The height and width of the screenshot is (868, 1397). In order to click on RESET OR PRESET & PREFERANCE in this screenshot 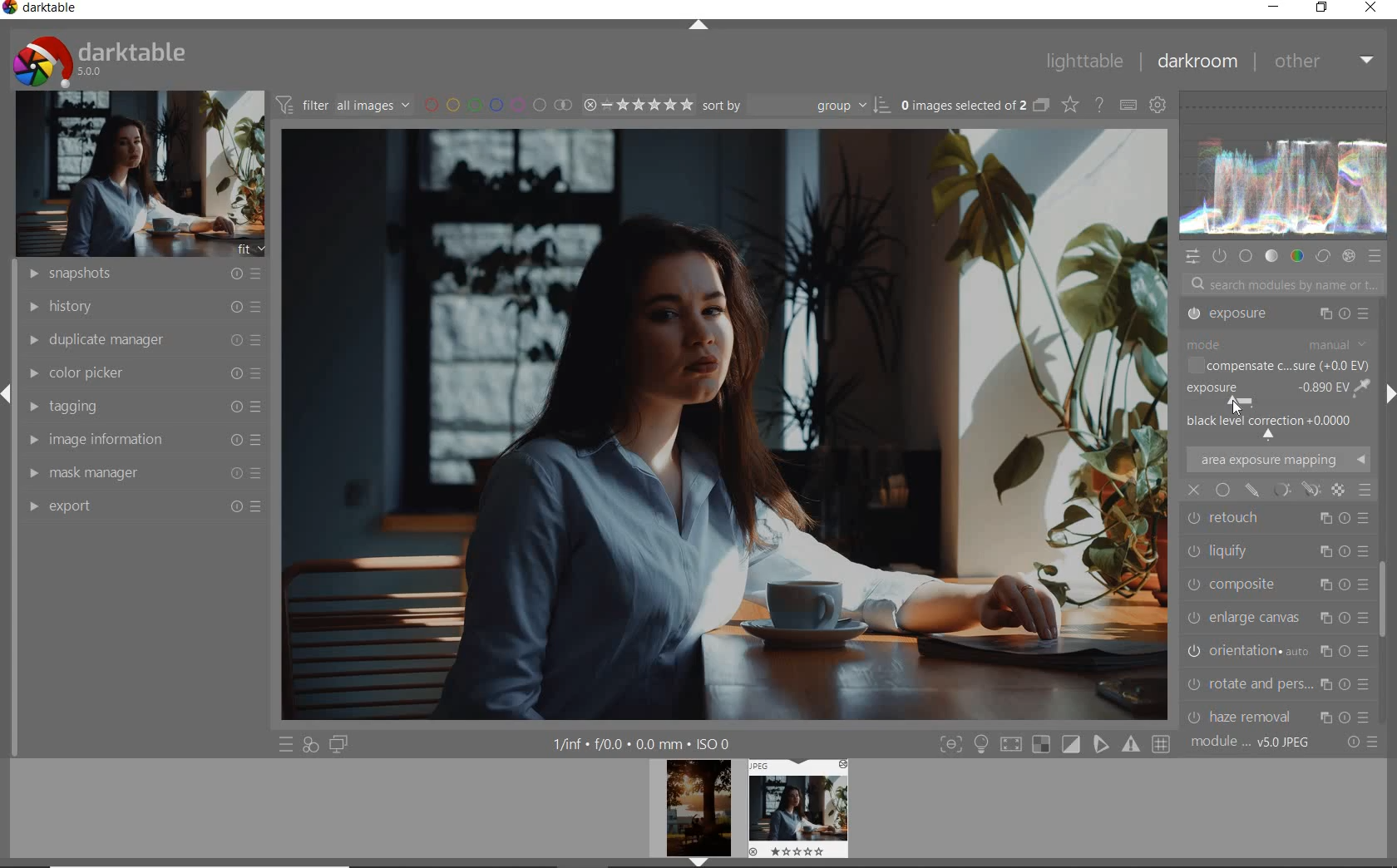, I will do `click(1360, 745)`.